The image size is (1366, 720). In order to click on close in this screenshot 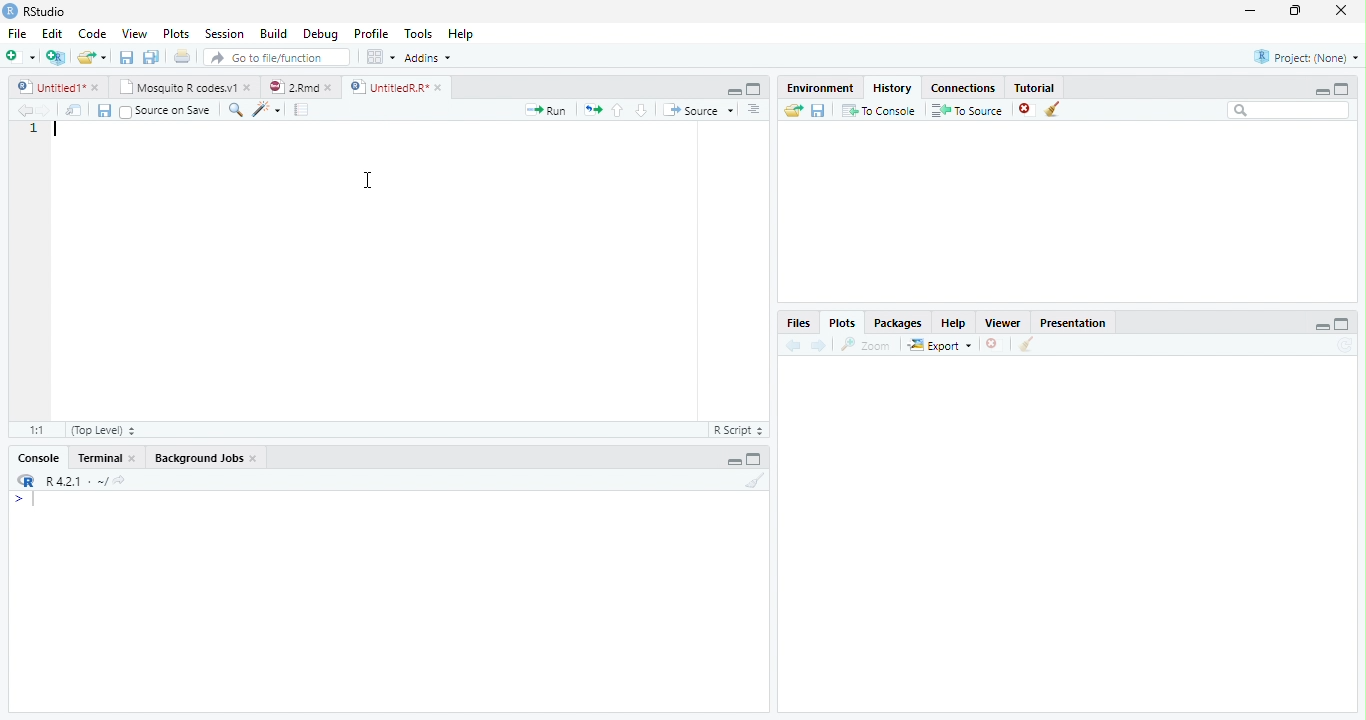, I will do `click(993, 344)`.